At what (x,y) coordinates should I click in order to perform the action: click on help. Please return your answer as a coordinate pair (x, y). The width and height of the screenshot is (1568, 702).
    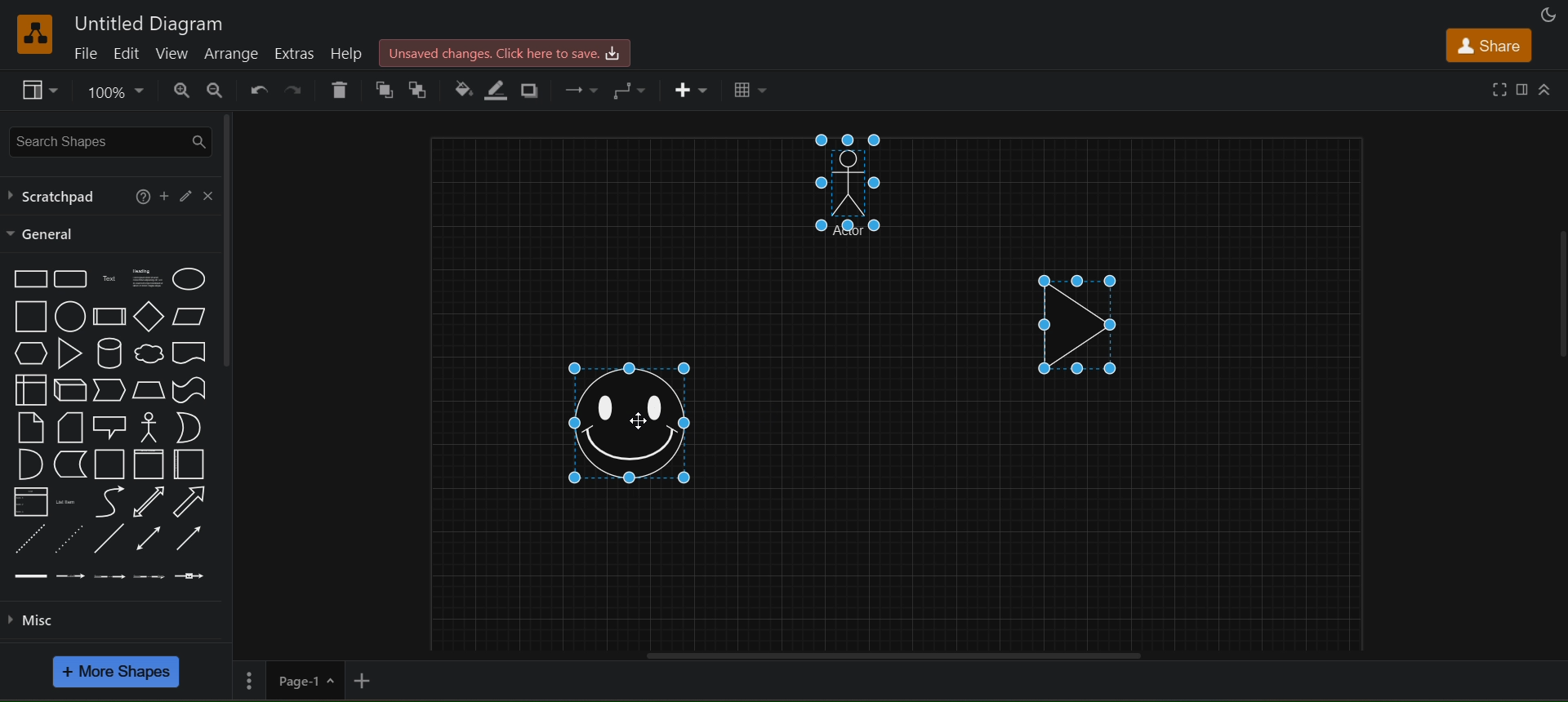
    Looking at the image, I should click on (349, 53).